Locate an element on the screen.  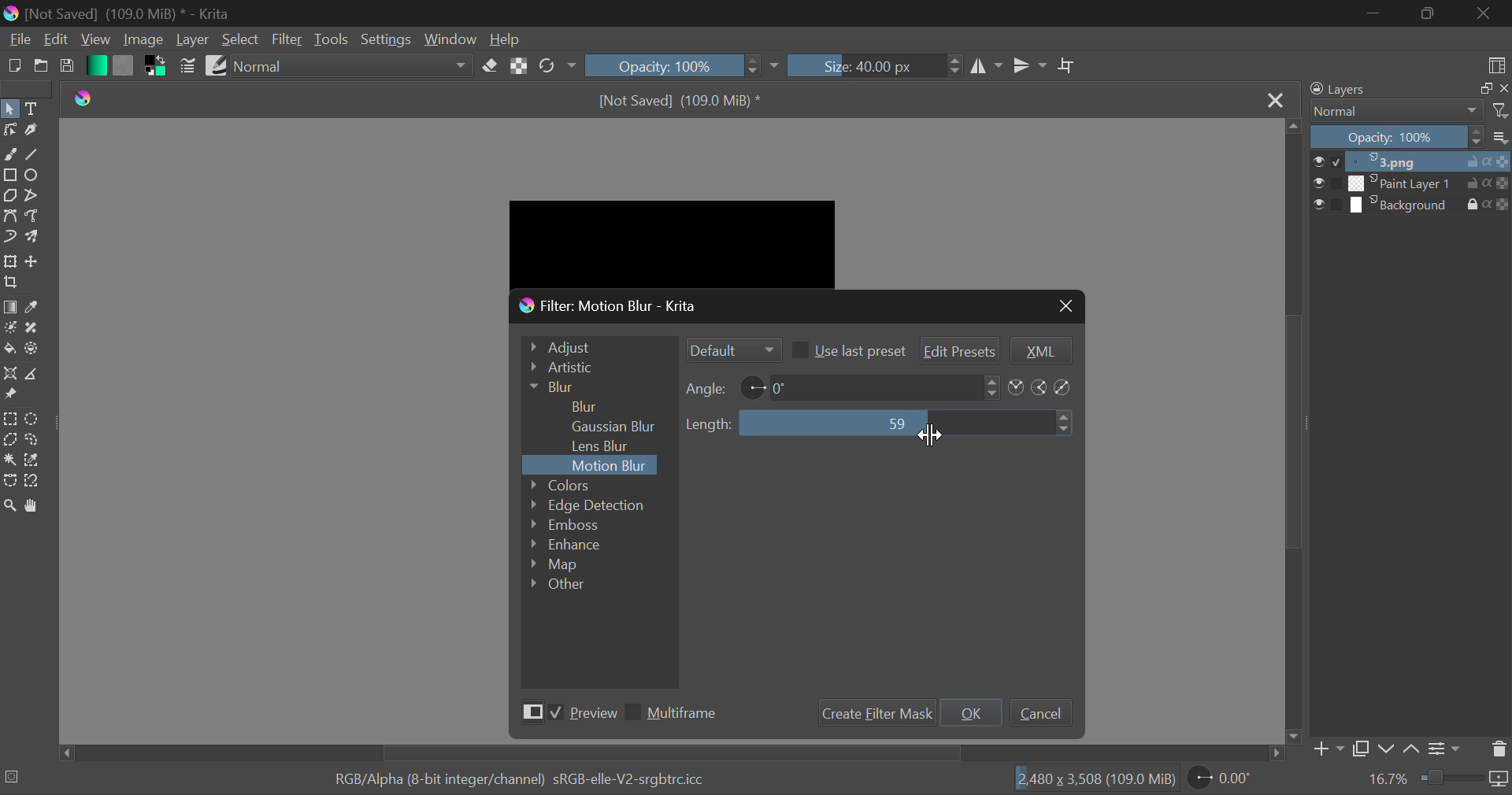
Bezier Curve Selection Tool is located at coordinates (9, 480).